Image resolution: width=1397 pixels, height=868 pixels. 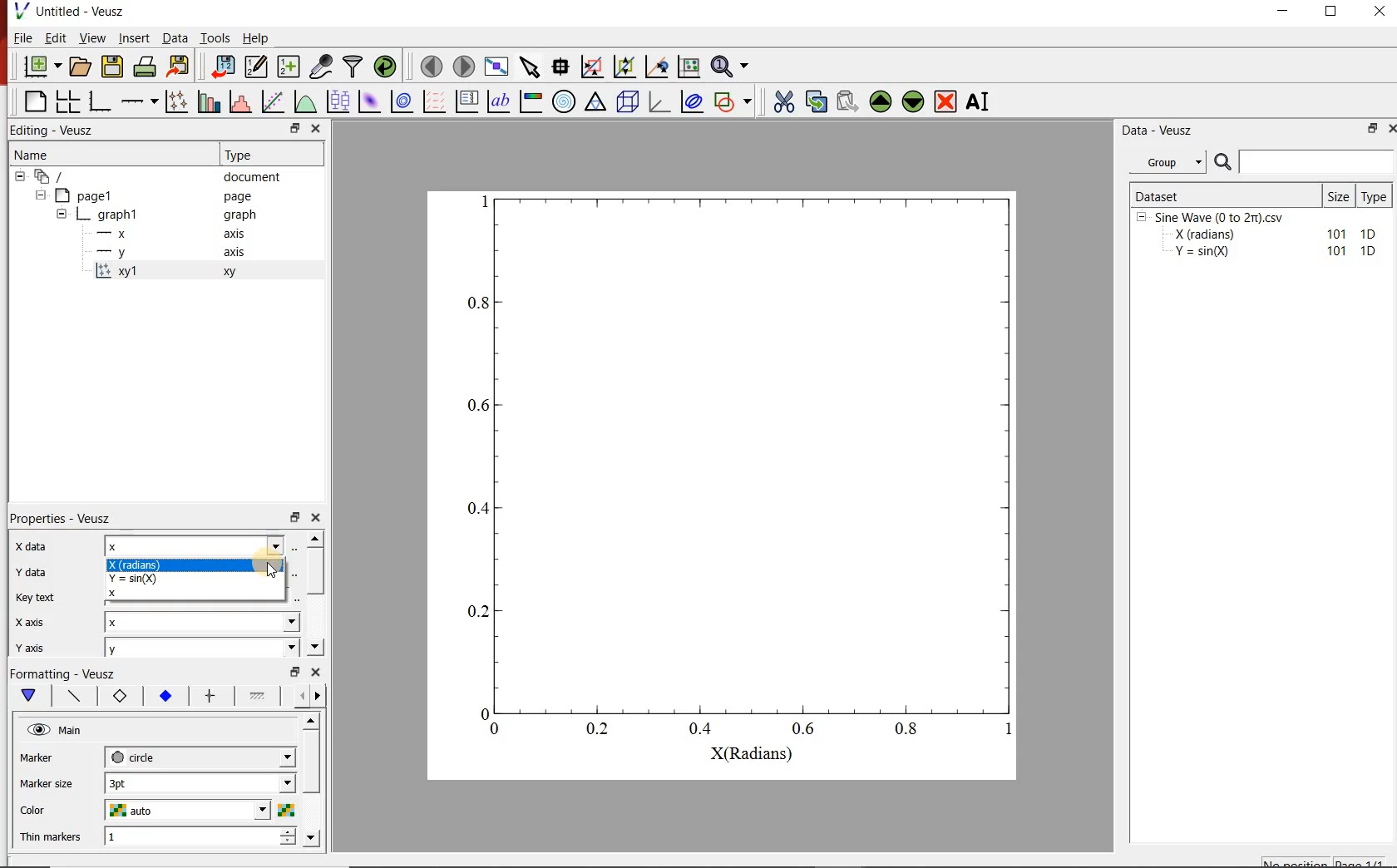 I want to click on zoom functions menu, so click(x=732, y=64).